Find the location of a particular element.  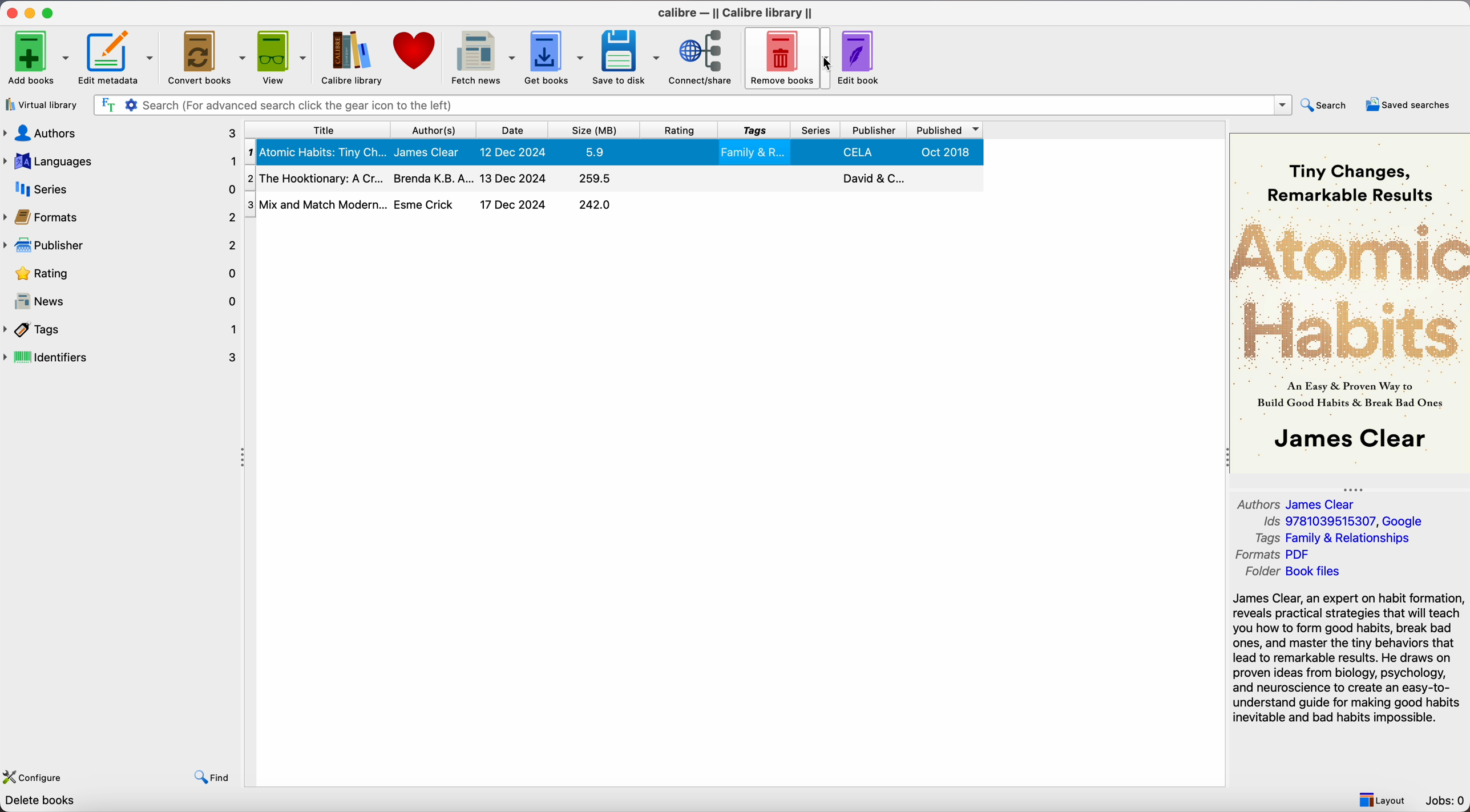

rating is located at coordinates (680, 130).